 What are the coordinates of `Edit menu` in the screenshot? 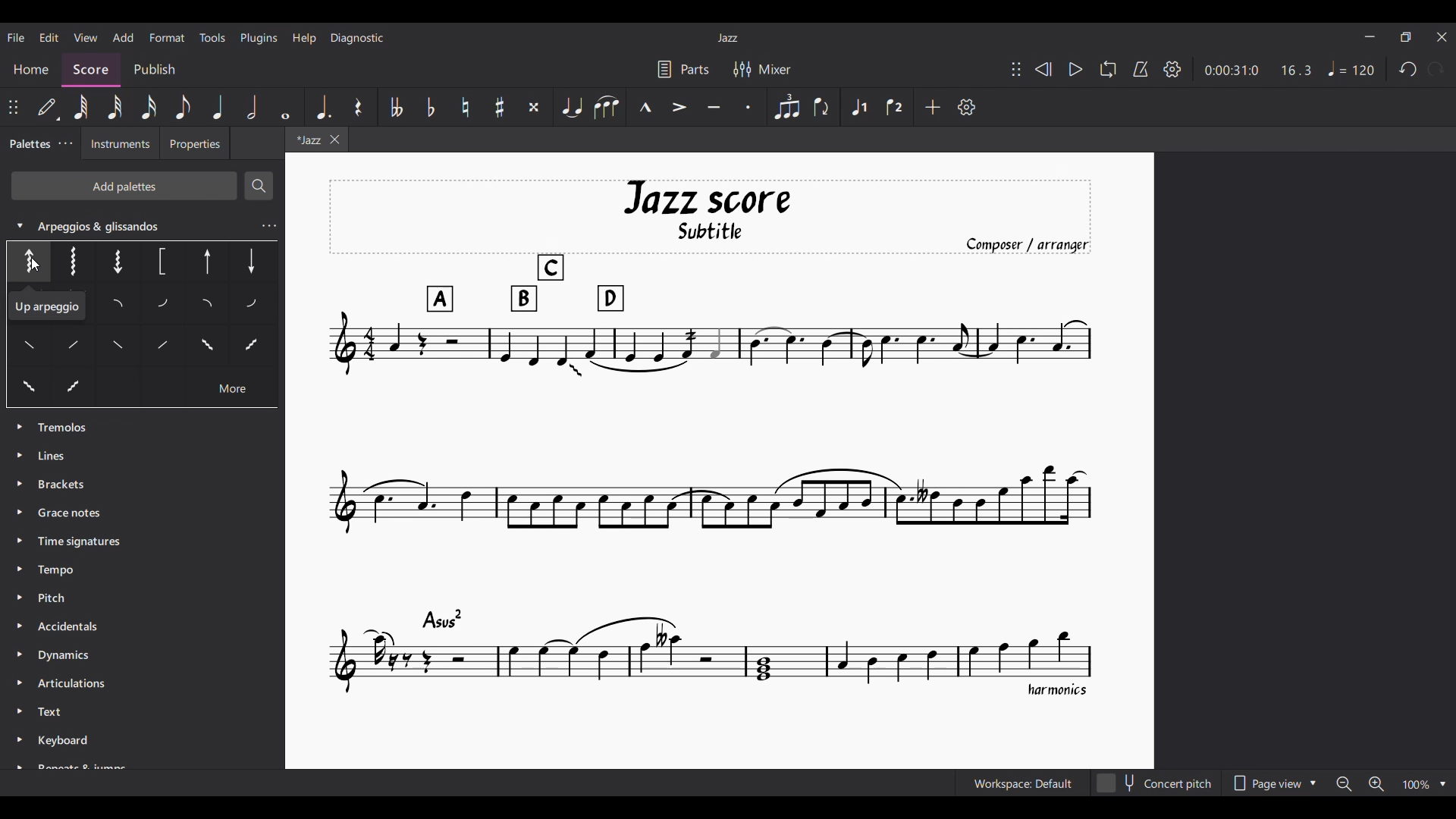 It's located at (49, 37).